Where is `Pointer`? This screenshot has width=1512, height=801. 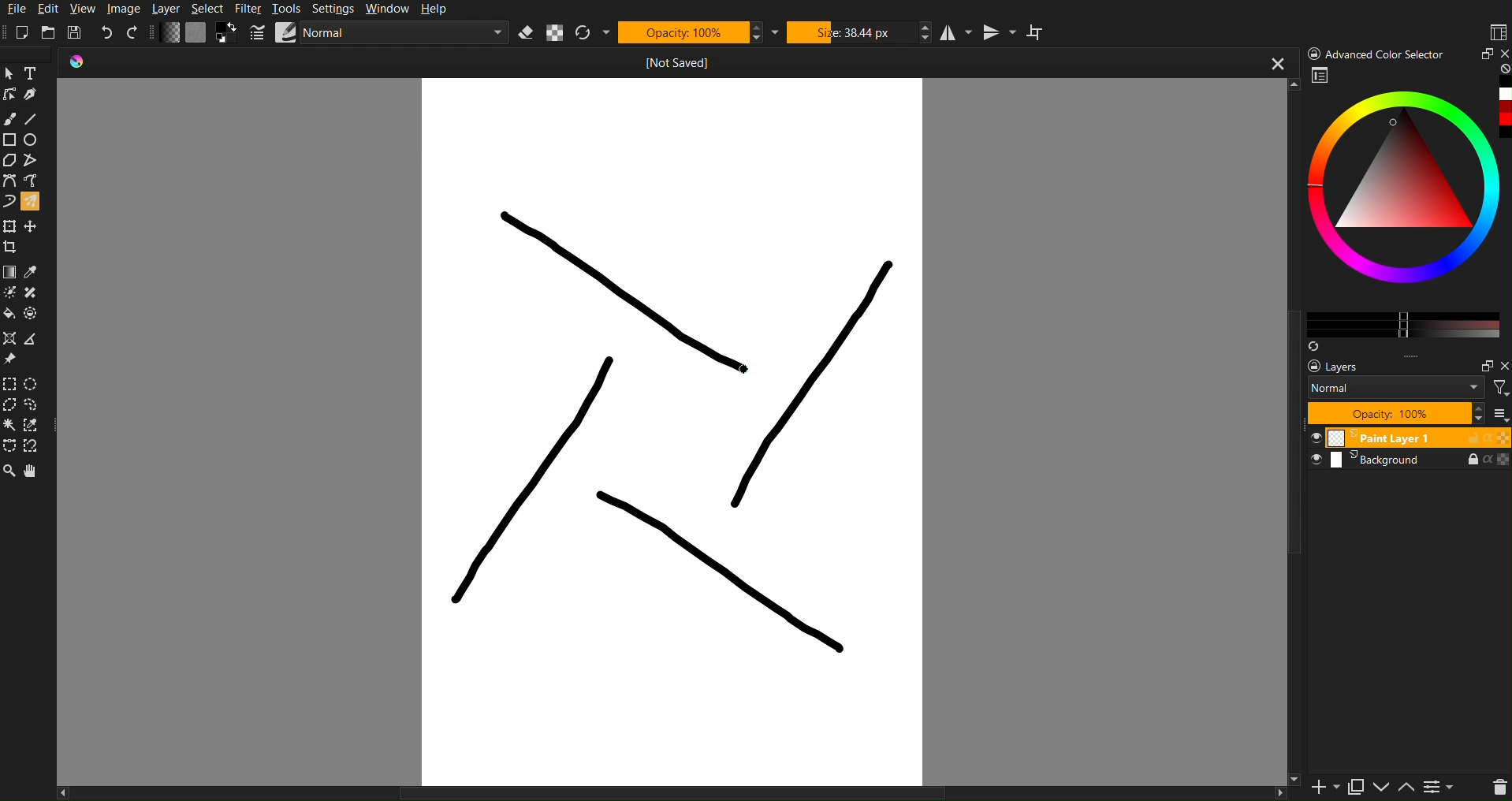 Pointer is located at coordinates (10, 72).